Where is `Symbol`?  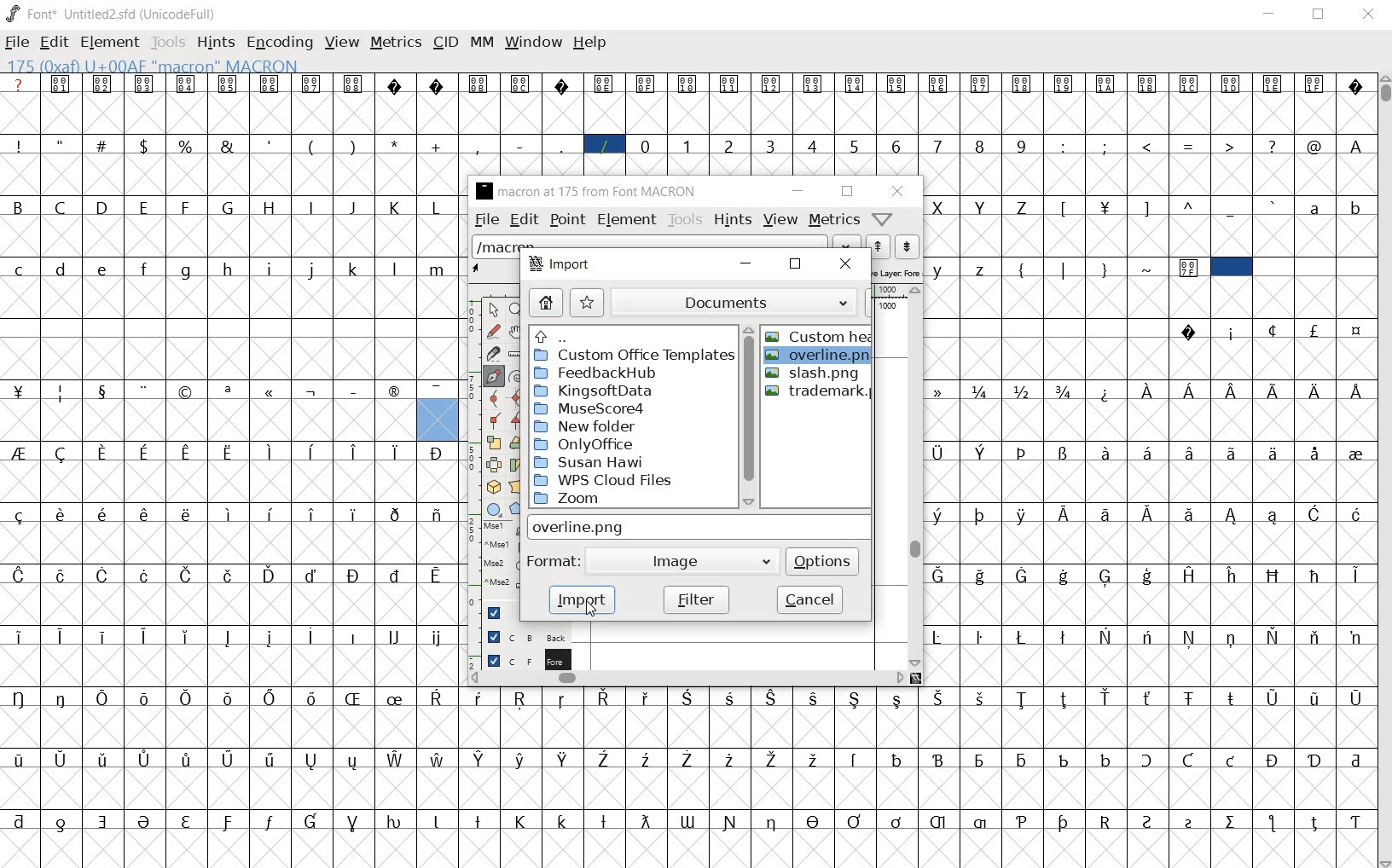 Symbol is located at coordinates (1105, 513).